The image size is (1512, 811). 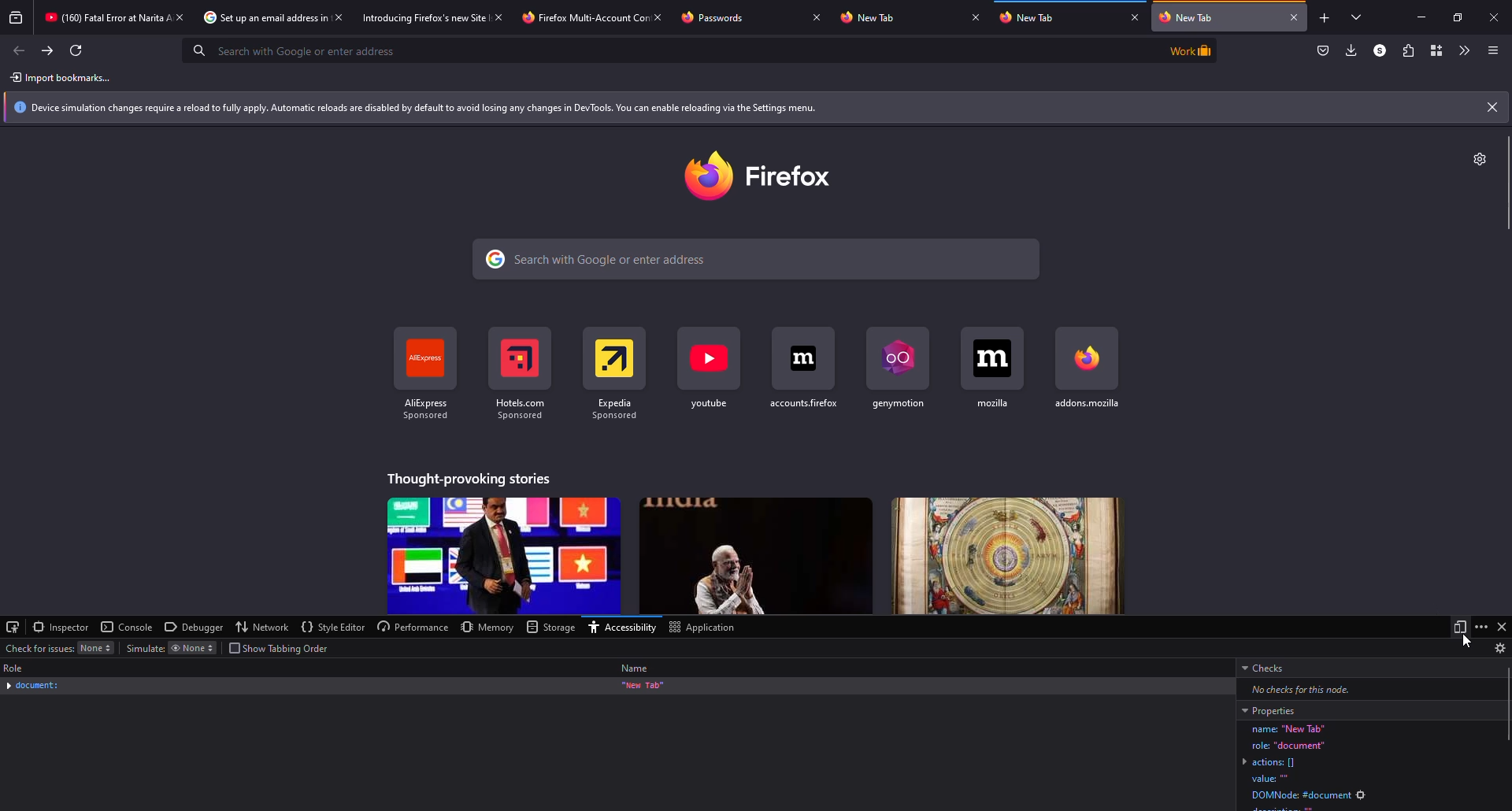 What do you see at coordinates (96, 647) in the screenshot?
I see `none` at bounding box center [96, 647].